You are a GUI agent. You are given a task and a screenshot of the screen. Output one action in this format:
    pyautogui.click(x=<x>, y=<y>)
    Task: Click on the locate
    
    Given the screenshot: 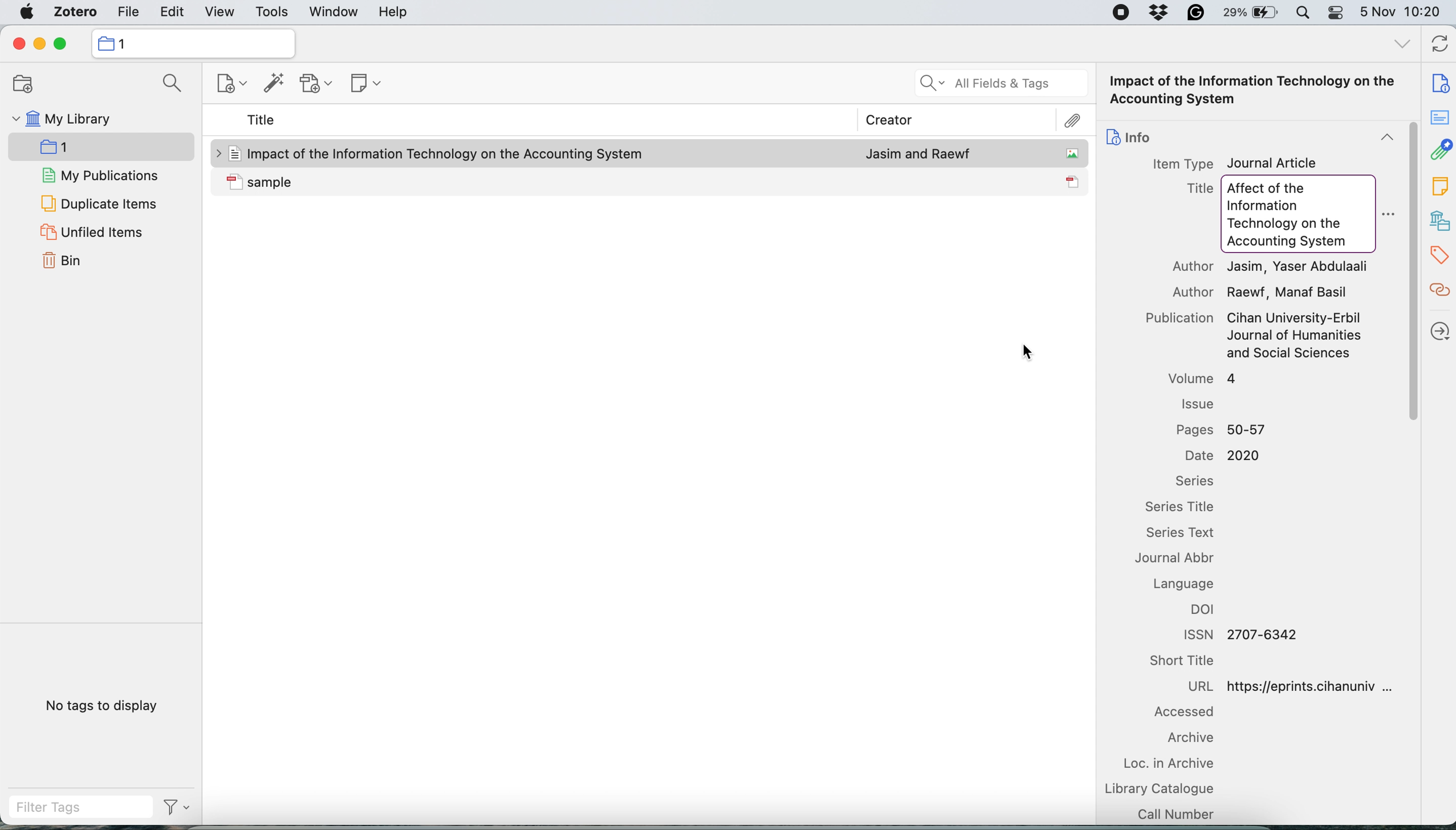 What is the action you would take?
    pyautogui.click(x=1438, y=332)
    